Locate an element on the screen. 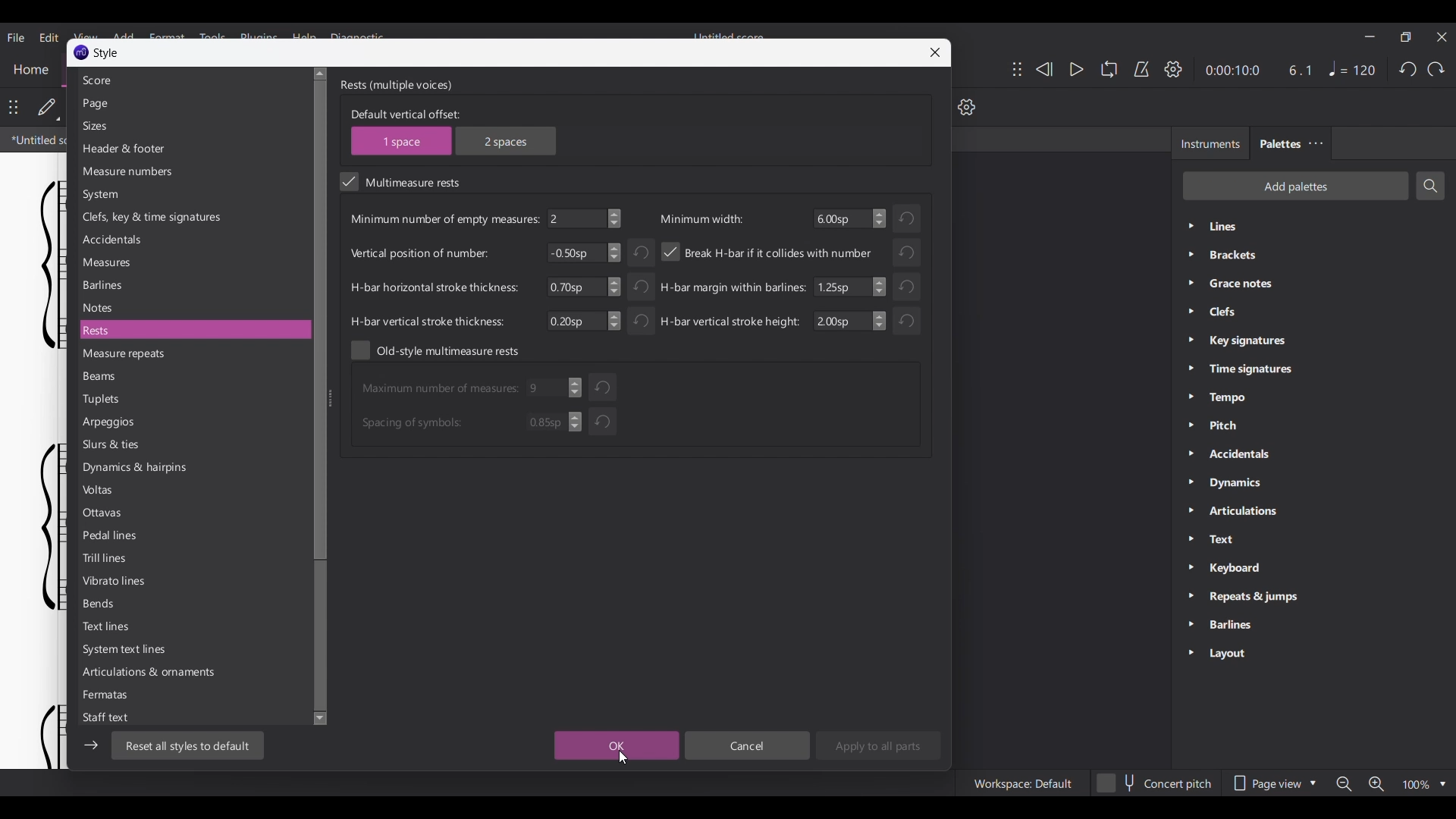 Image resolution: width=1456 pixels, height=819 pixels. Undo is located at coordinates (1407, 70).